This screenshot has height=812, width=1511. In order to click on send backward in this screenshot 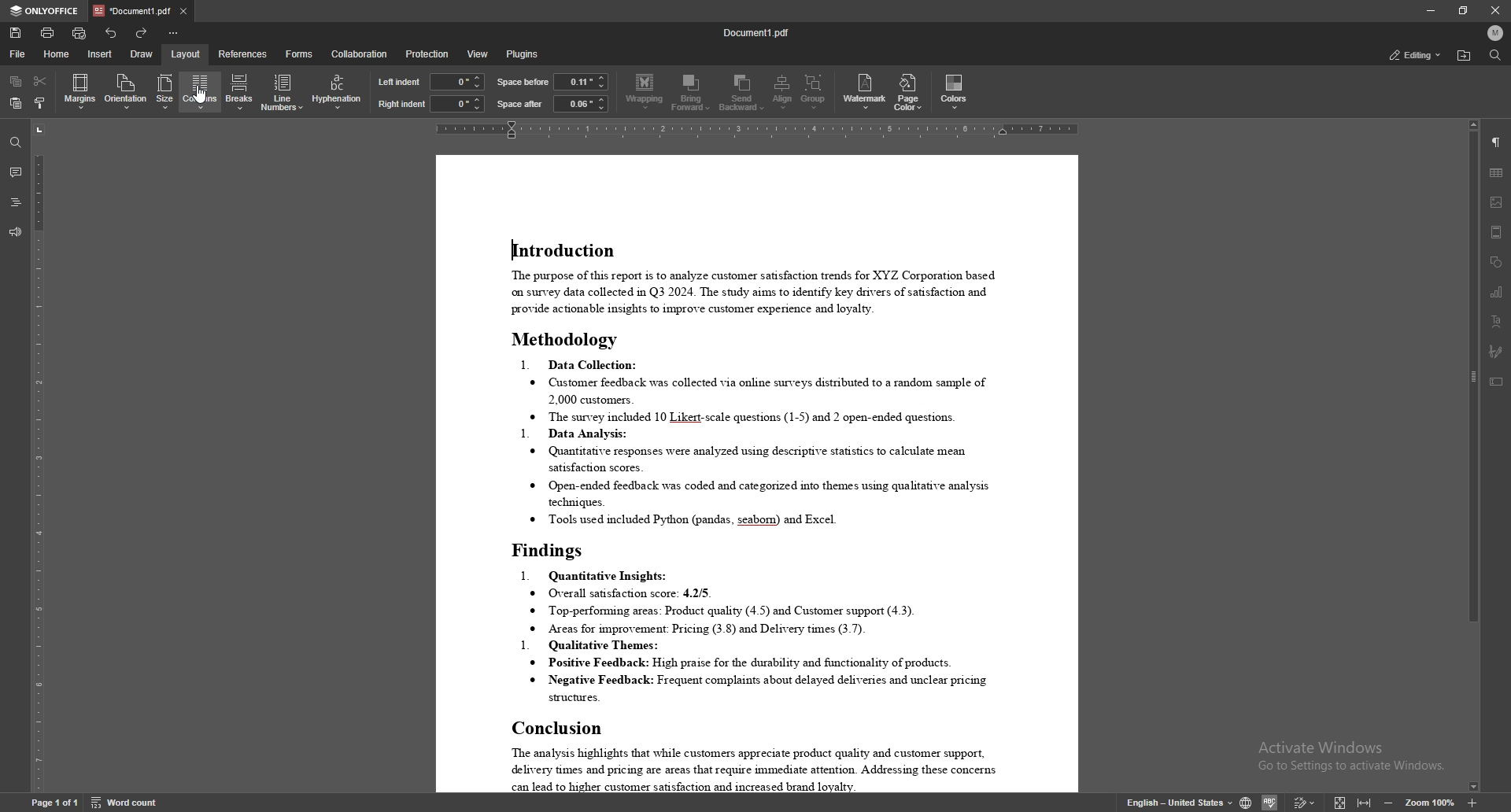, I will do `click(742, 93)`.